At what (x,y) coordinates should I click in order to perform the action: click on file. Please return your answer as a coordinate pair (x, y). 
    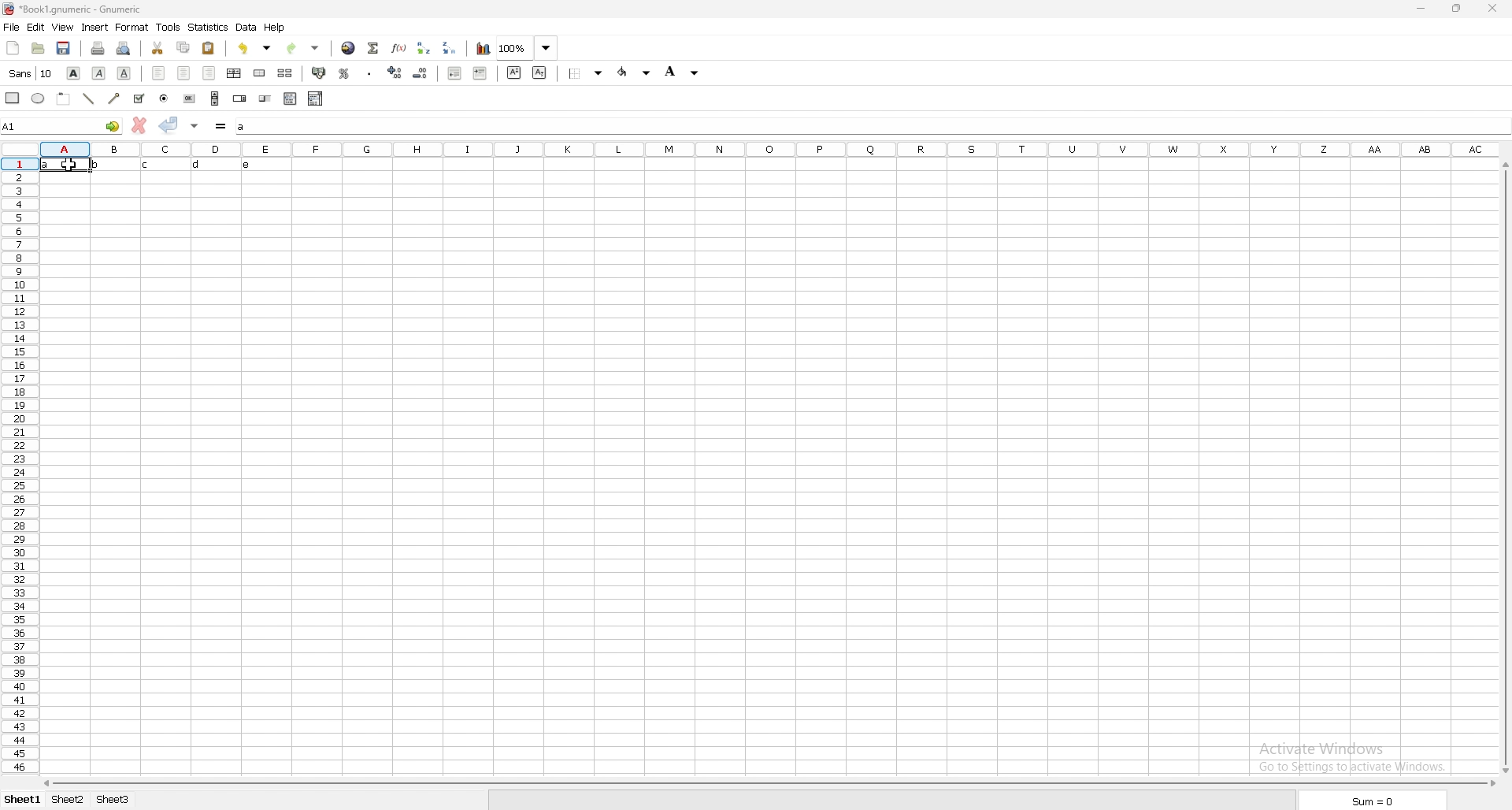
    Looking at the image, I should click on (12, 27).